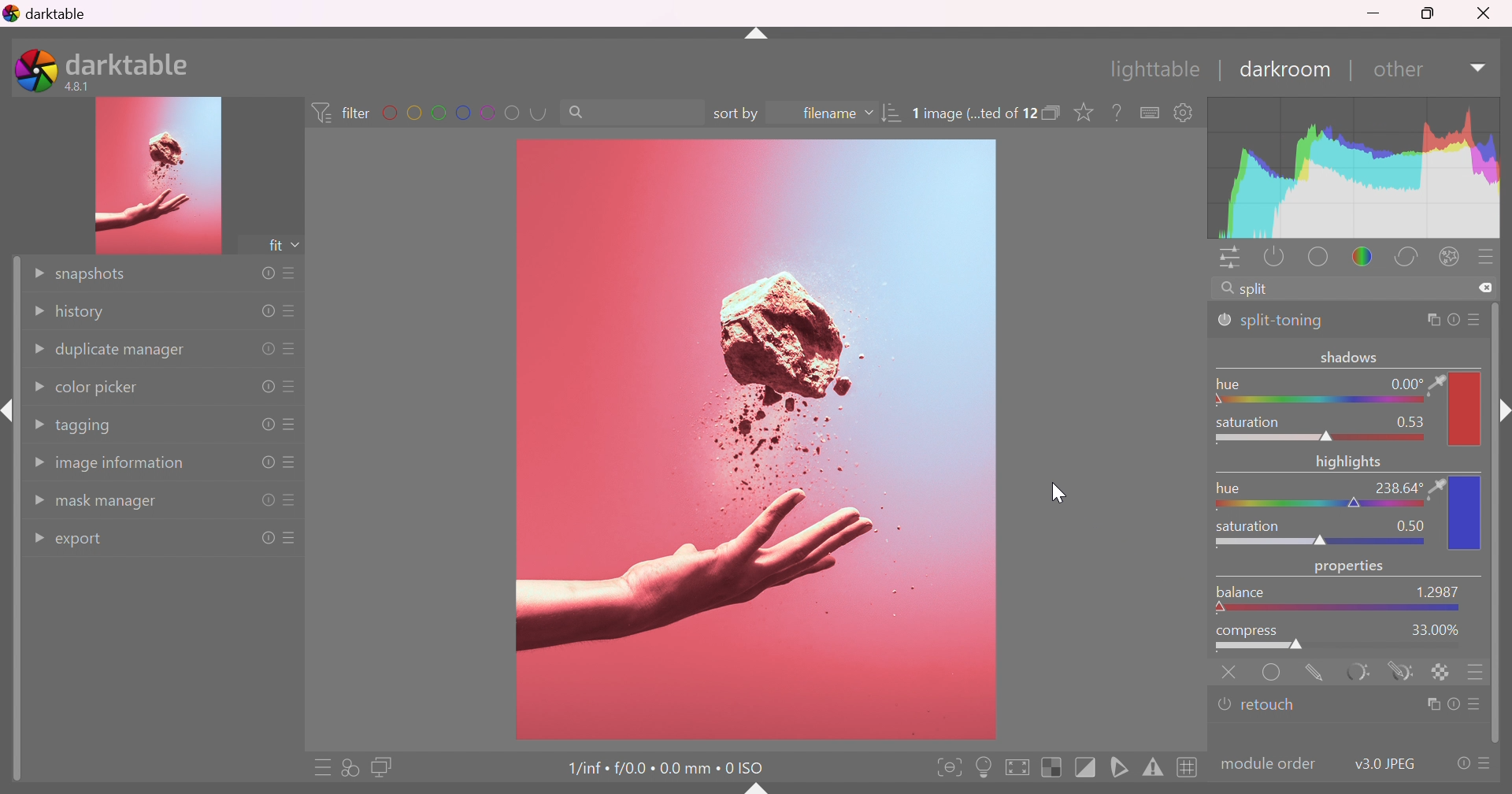  I want to click on presets, so click(1477, 705).